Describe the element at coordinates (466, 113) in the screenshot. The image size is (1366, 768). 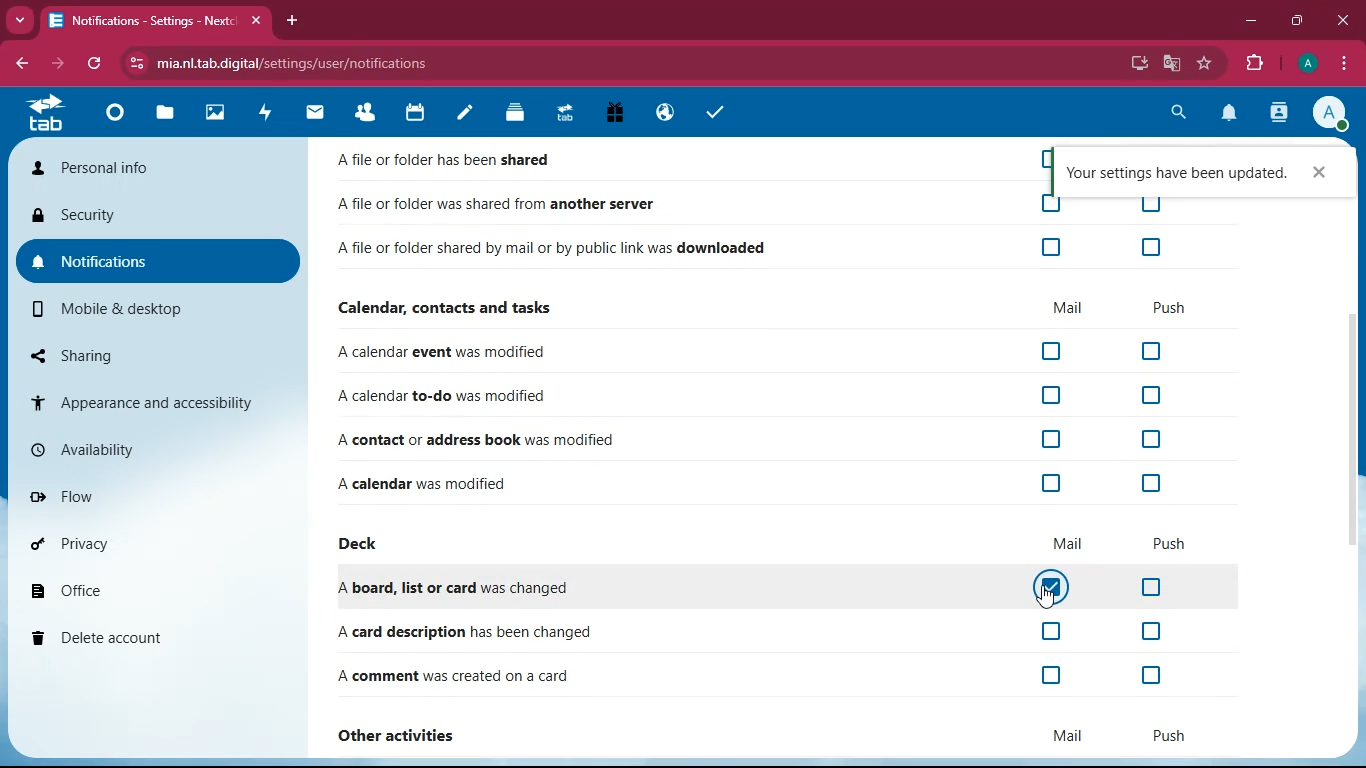
I see `notes` at that location.